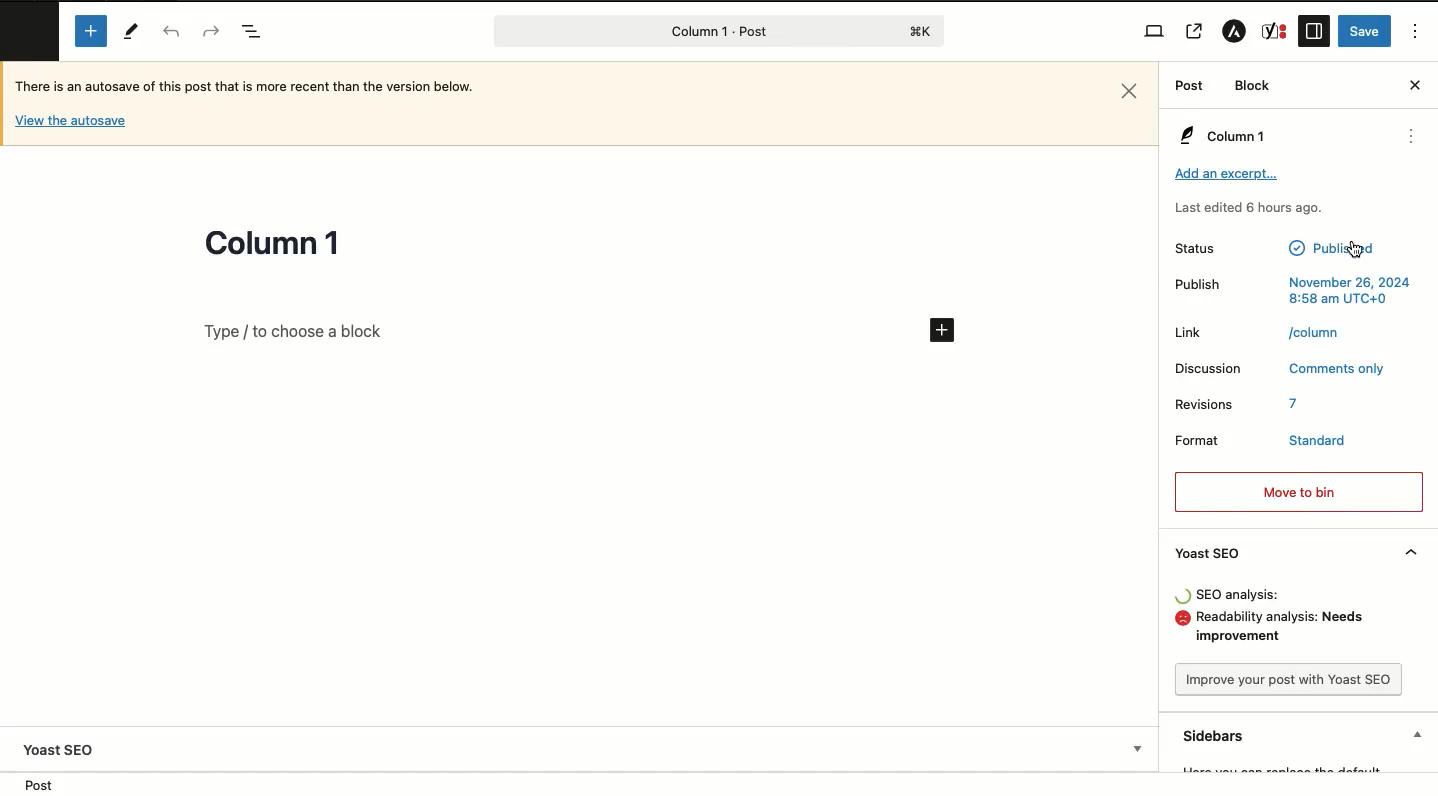  Describe the element at coordinates (273, 245) in the screenshot. I see `Title` at that location.